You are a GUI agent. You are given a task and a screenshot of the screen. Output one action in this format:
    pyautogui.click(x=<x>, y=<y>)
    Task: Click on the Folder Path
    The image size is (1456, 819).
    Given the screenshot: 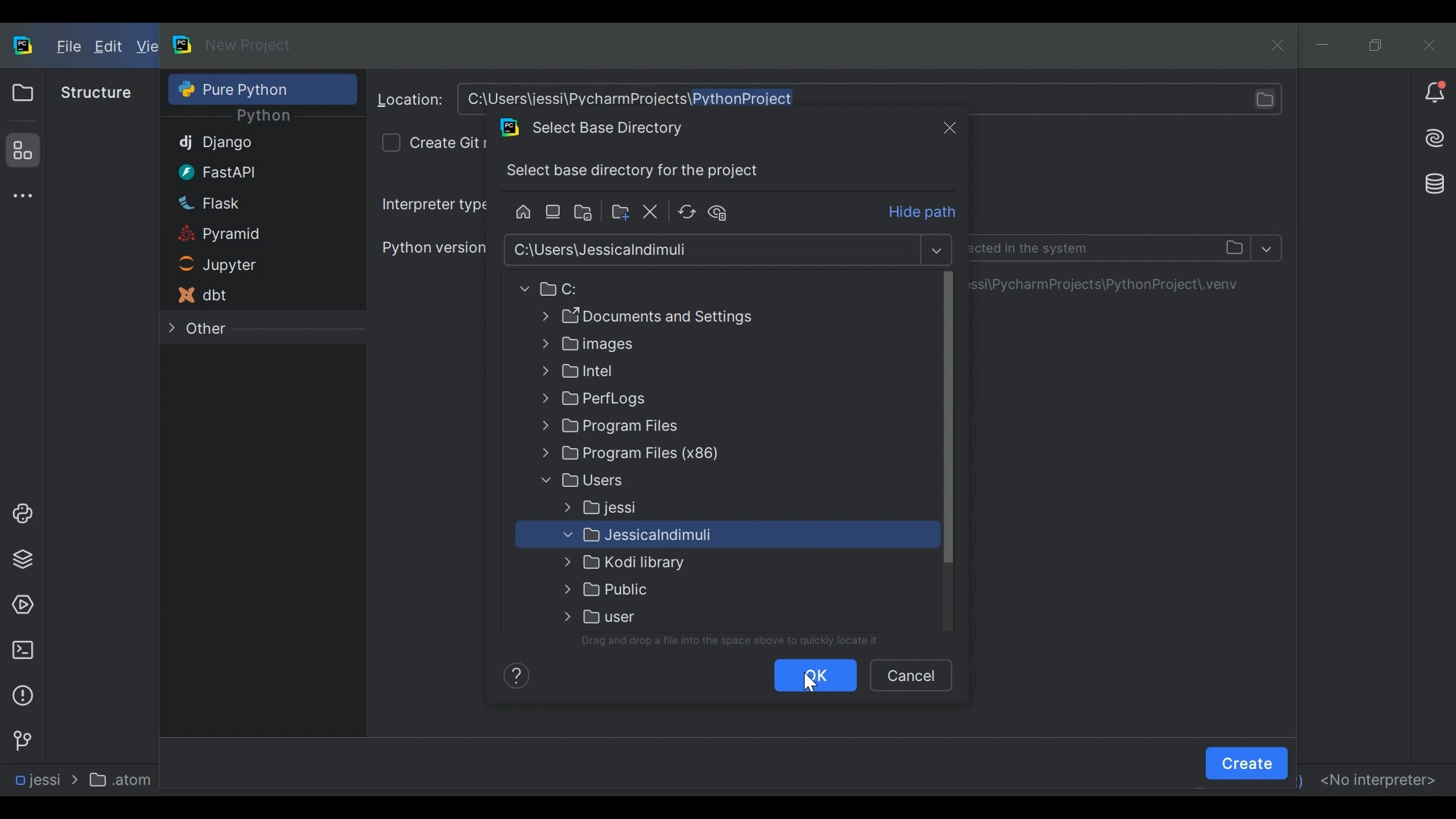 What is the action you would take?
    pyautogui.click(x=664, y=345)
    